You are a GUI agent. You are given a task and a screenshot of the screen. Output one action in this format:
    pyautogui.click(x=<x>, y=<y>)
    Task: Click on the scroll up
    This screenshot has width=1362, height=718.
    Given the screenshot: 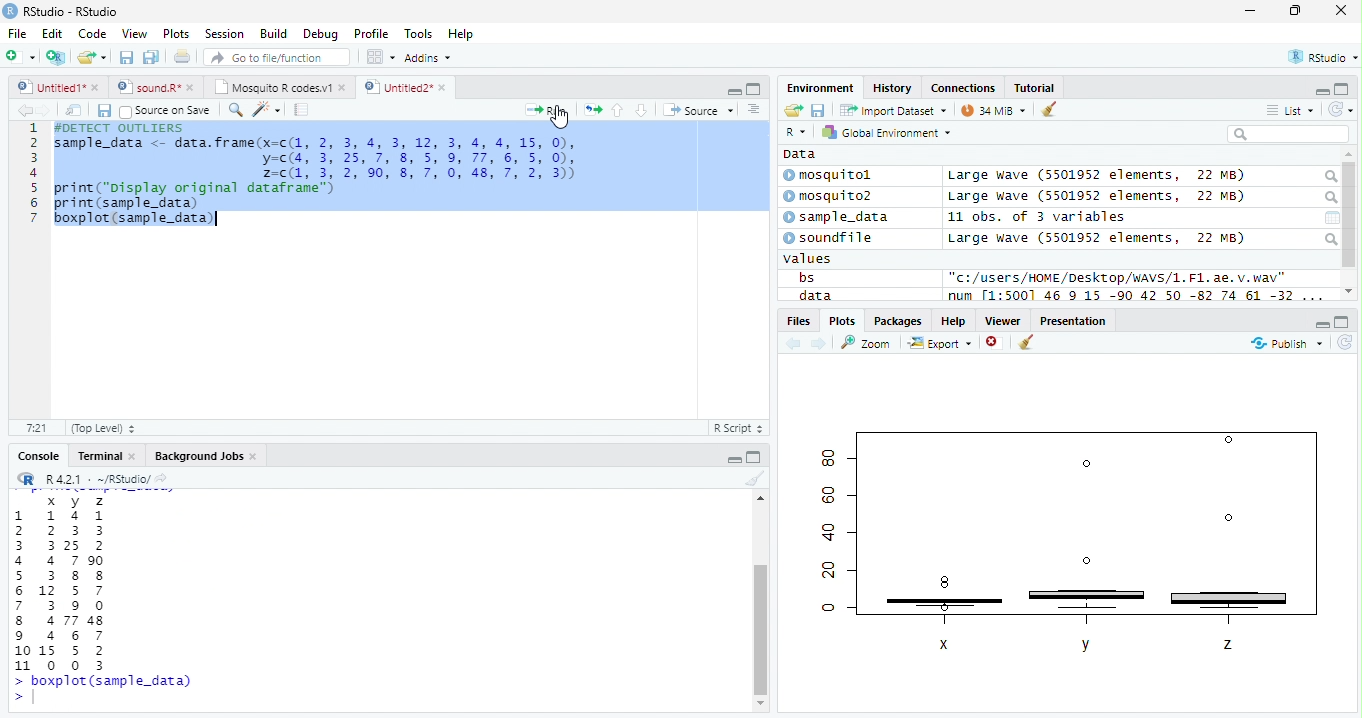 What is the action you would take?
    pyautogui.click(x=759, y=500)
    